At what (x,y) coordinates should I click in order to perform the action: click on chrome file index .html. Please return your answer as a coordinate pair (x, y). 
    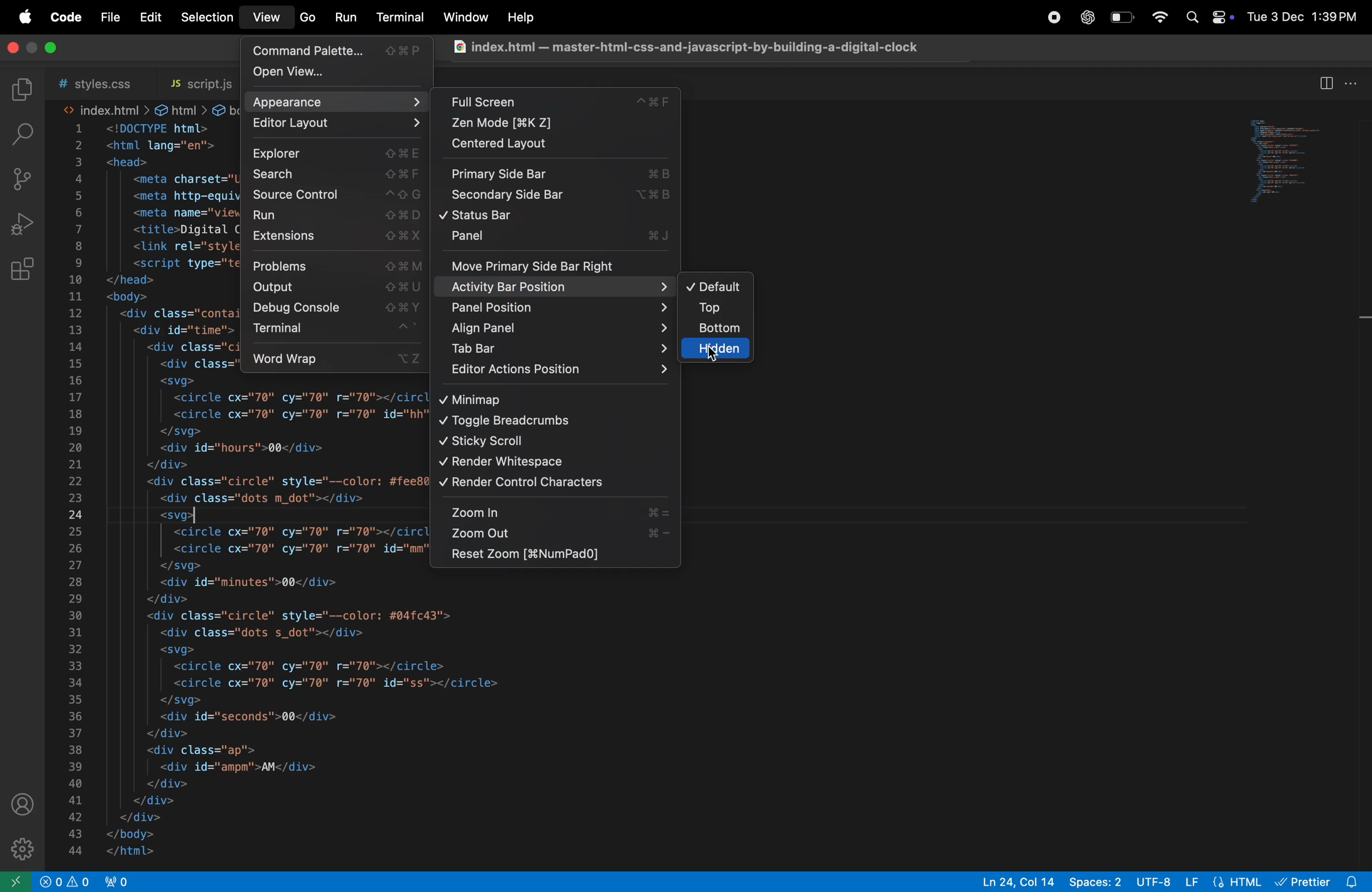
    Looking at the image, I should click on (687, 49).